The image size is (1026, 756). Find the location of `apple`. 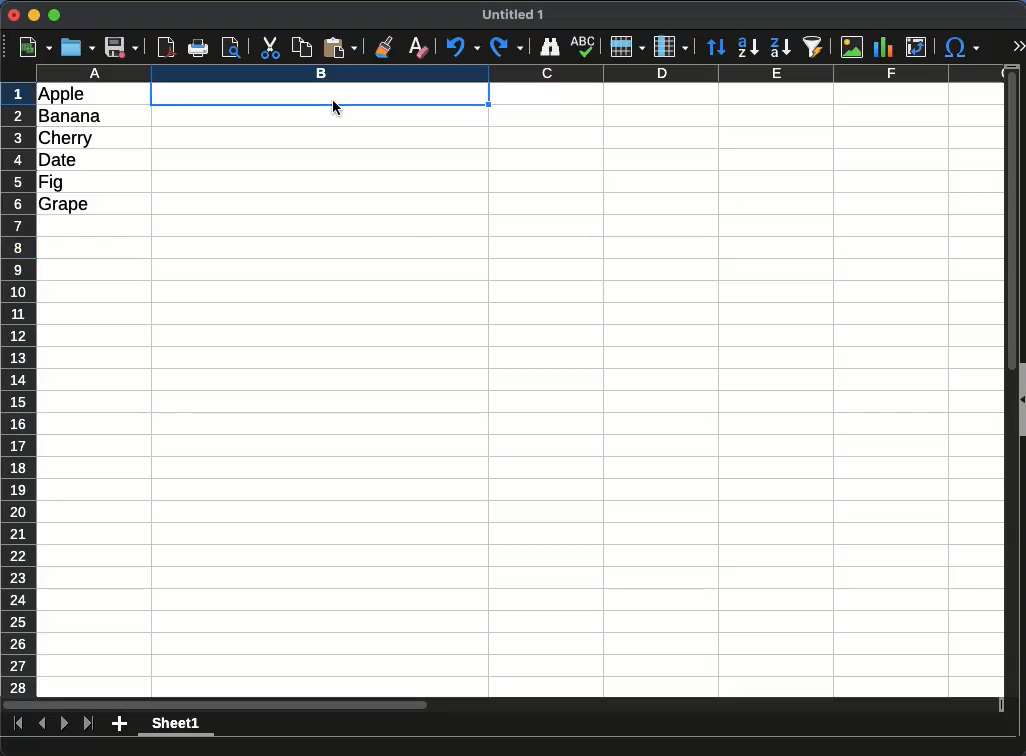

apple is located at coordinates (62, 95).